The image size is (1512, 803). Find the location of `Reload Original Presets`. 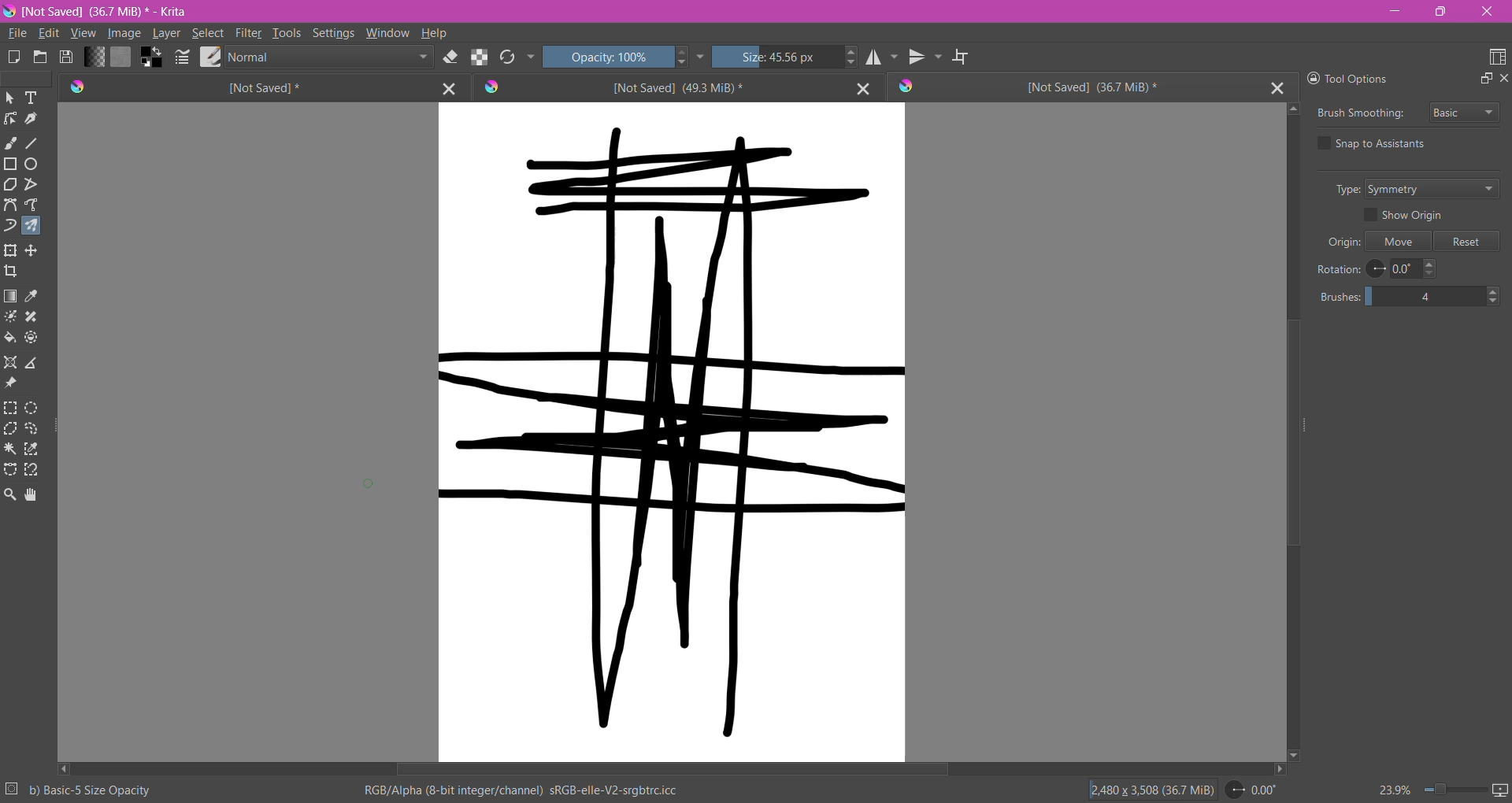

Reload Original Presets is located at coordinates (506, 57).